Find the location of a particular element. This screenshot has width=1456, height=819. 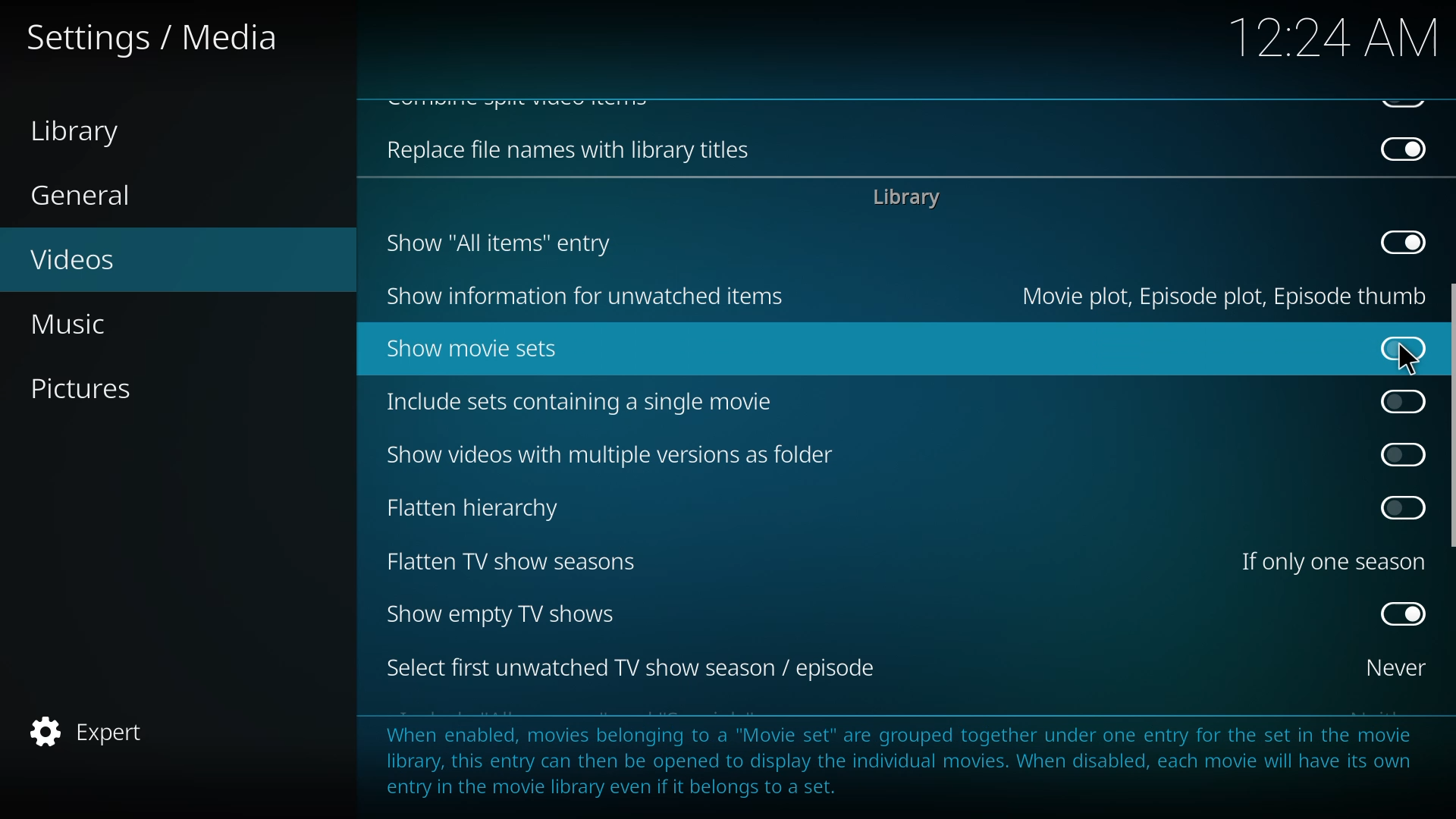

show all items is located at coordinates (496, 242).